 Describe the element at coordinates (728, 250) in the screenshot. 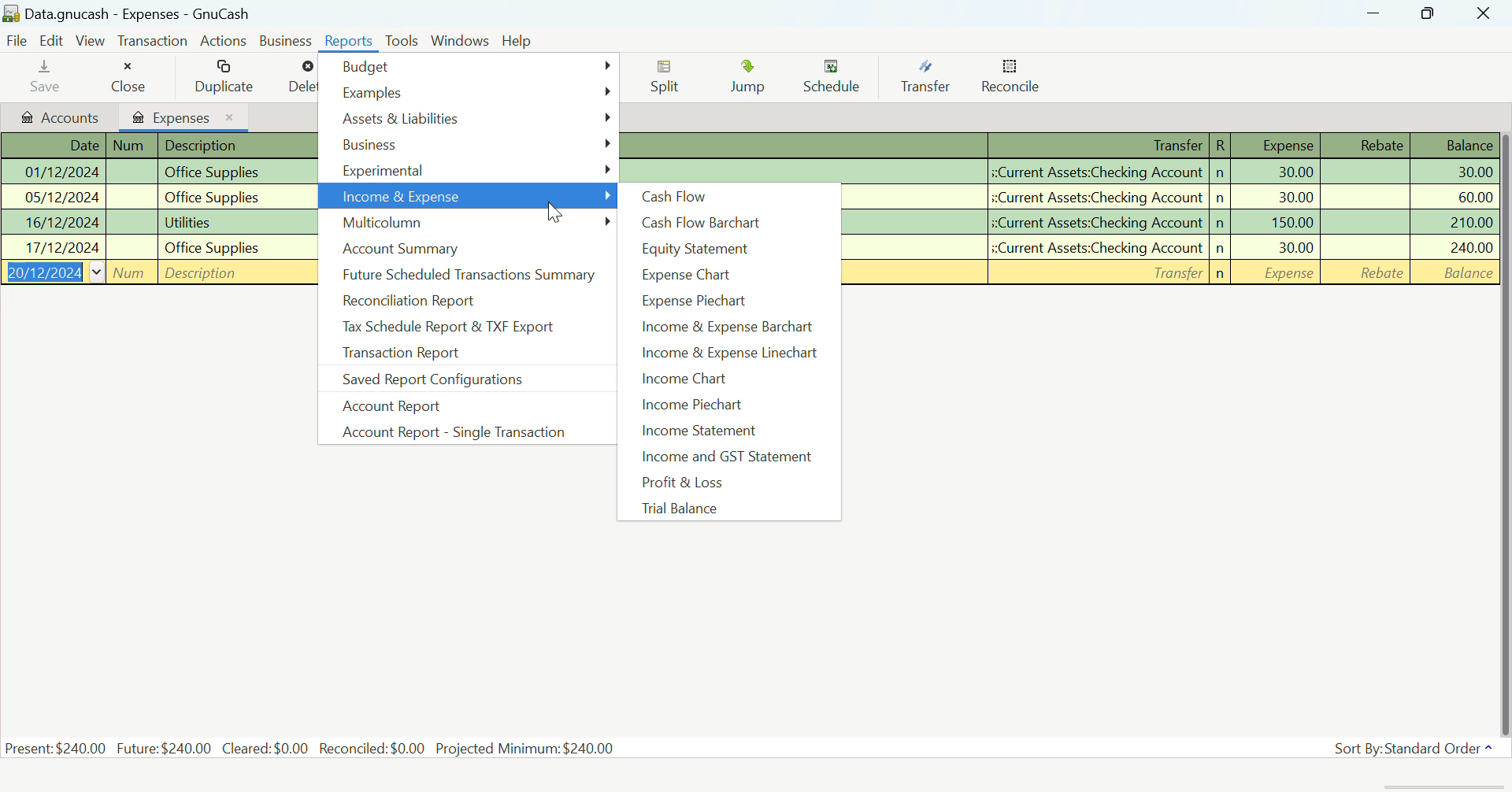

I see `Equity Statement` at that location.